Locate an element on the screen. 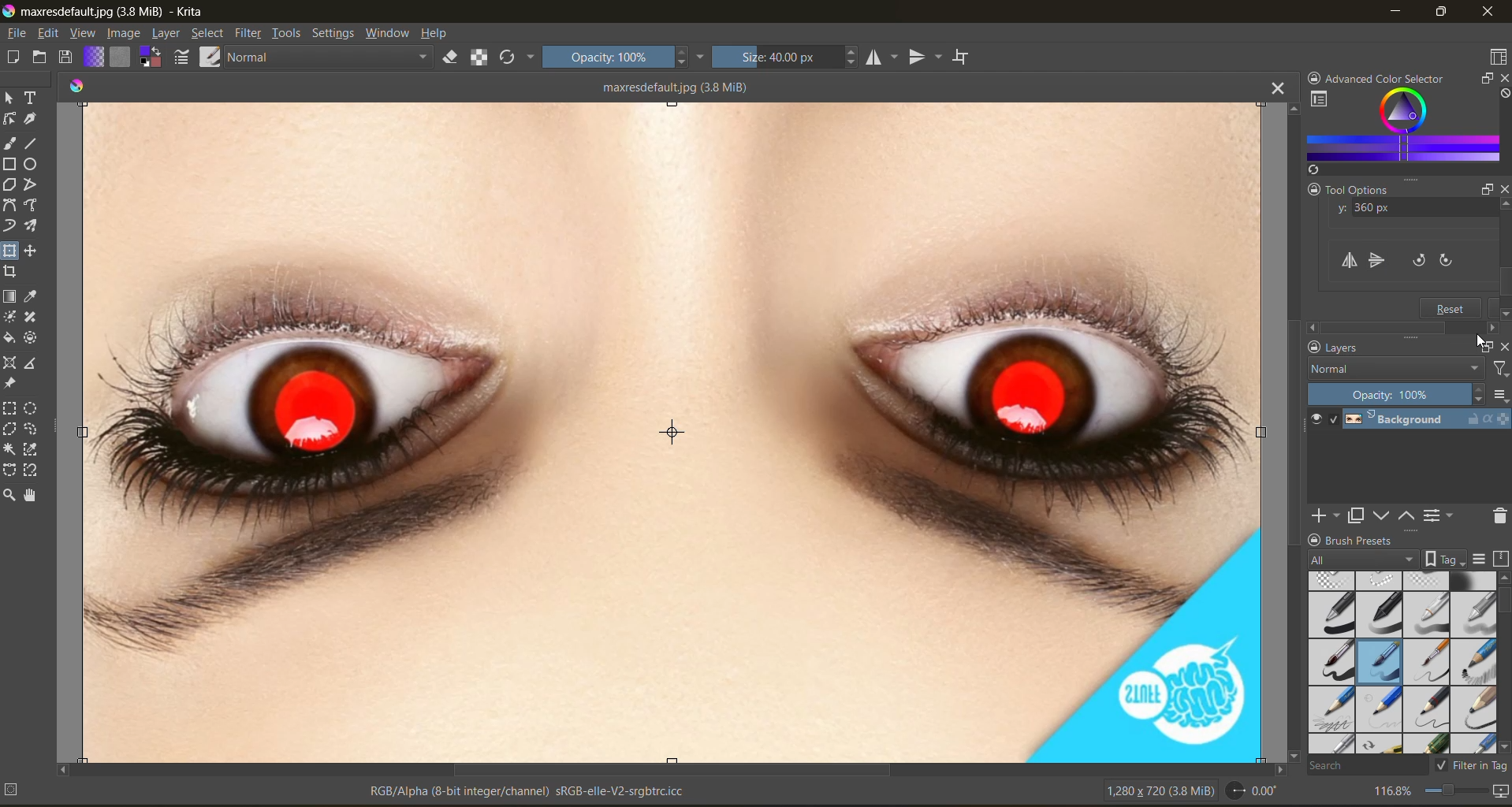 This screenshot has width=1512, height=807. normal is located at coordinates (1394, 369).